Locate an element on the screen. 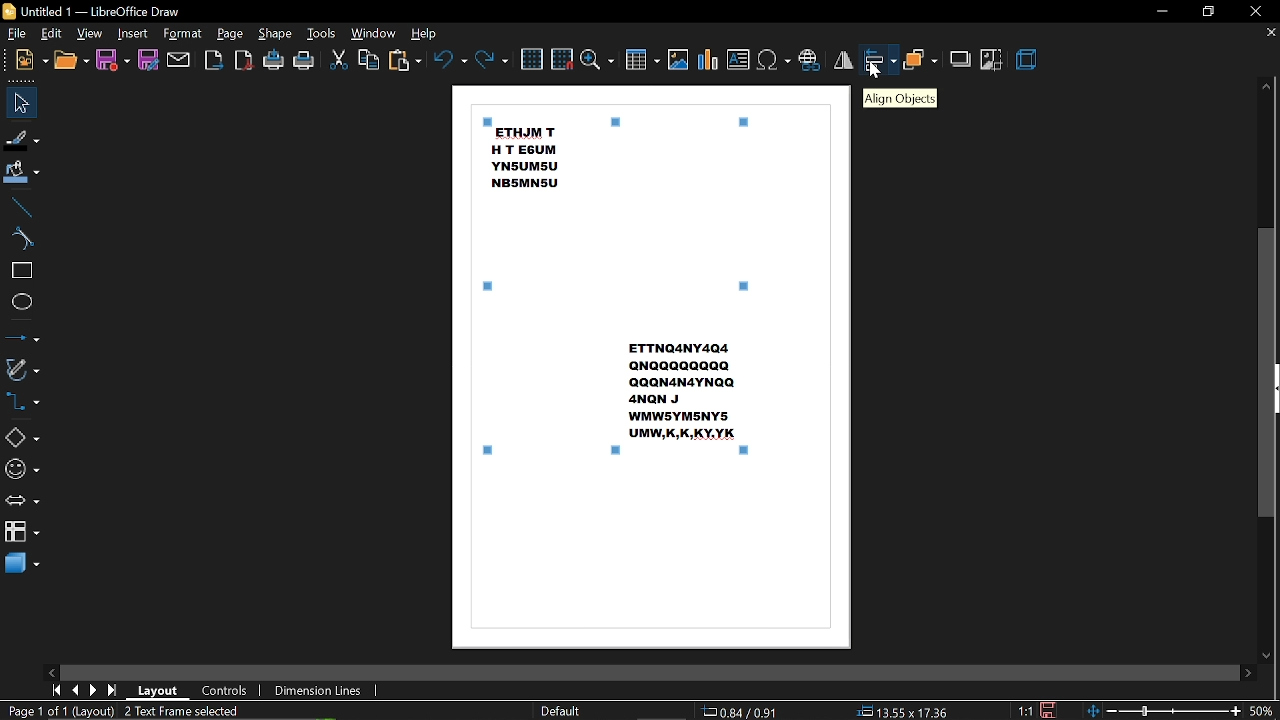  new is located at coordinates (32, 61).